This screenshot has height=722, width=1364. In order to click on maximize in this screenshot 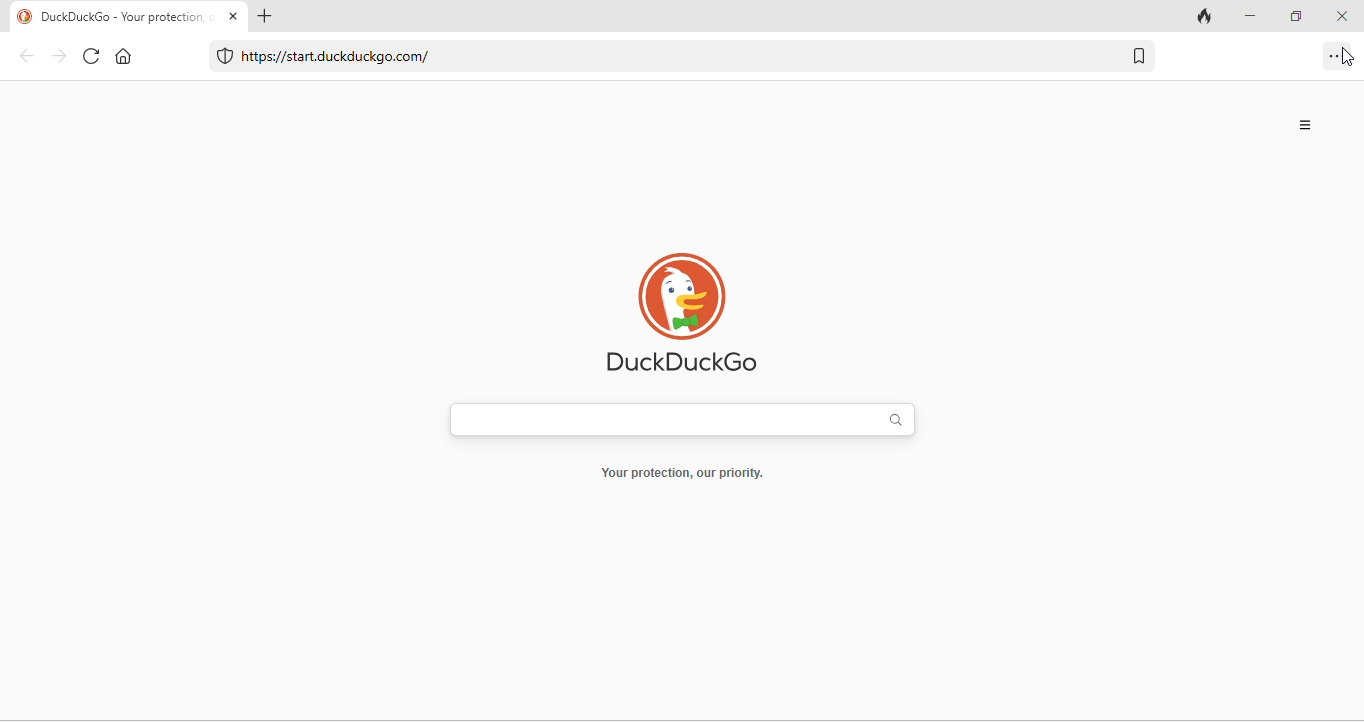, I will do `click(1298, 18)`.